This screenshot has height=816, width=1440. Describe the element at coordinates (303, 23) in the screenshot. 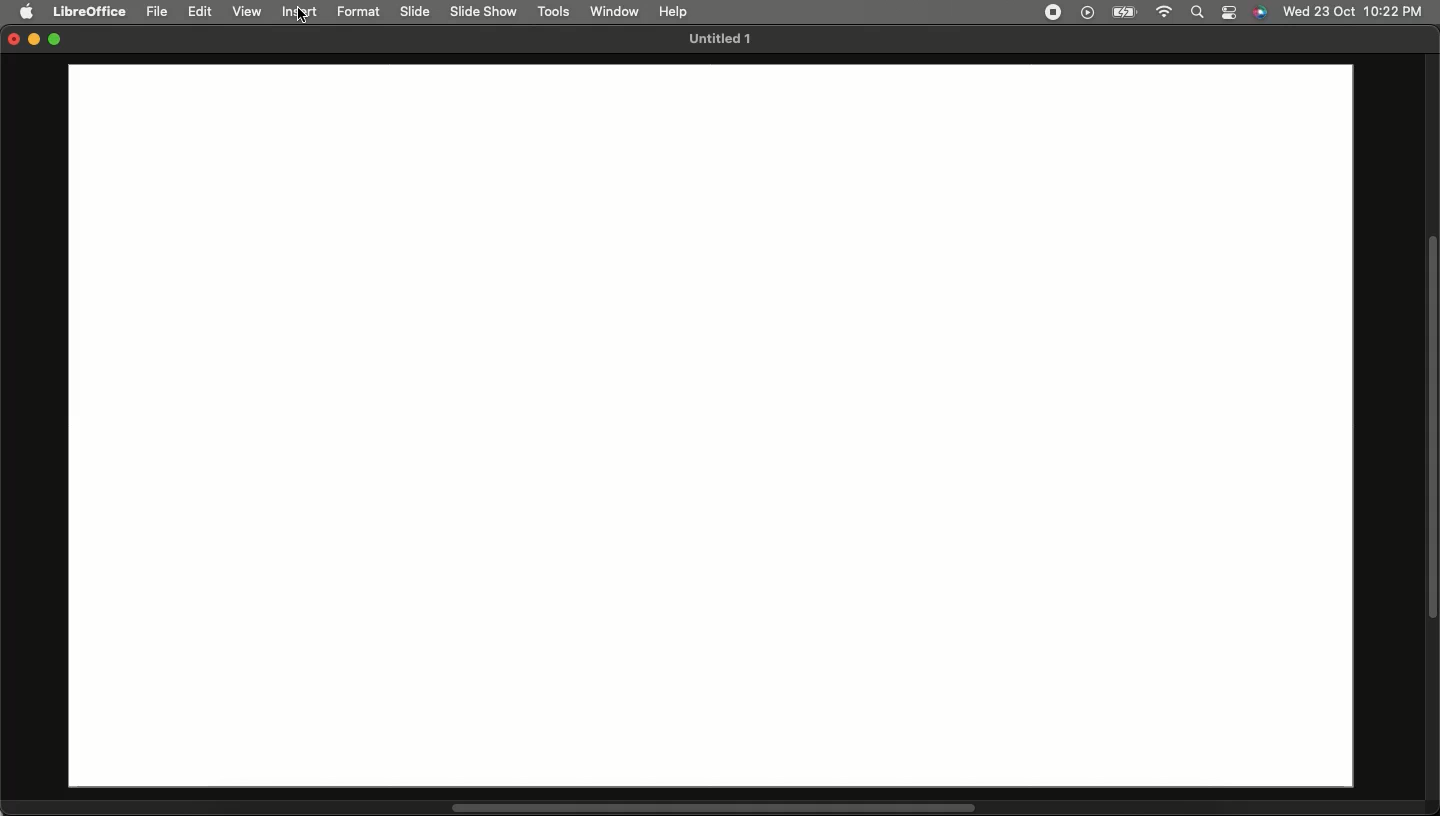

I see `cursor` at that location.